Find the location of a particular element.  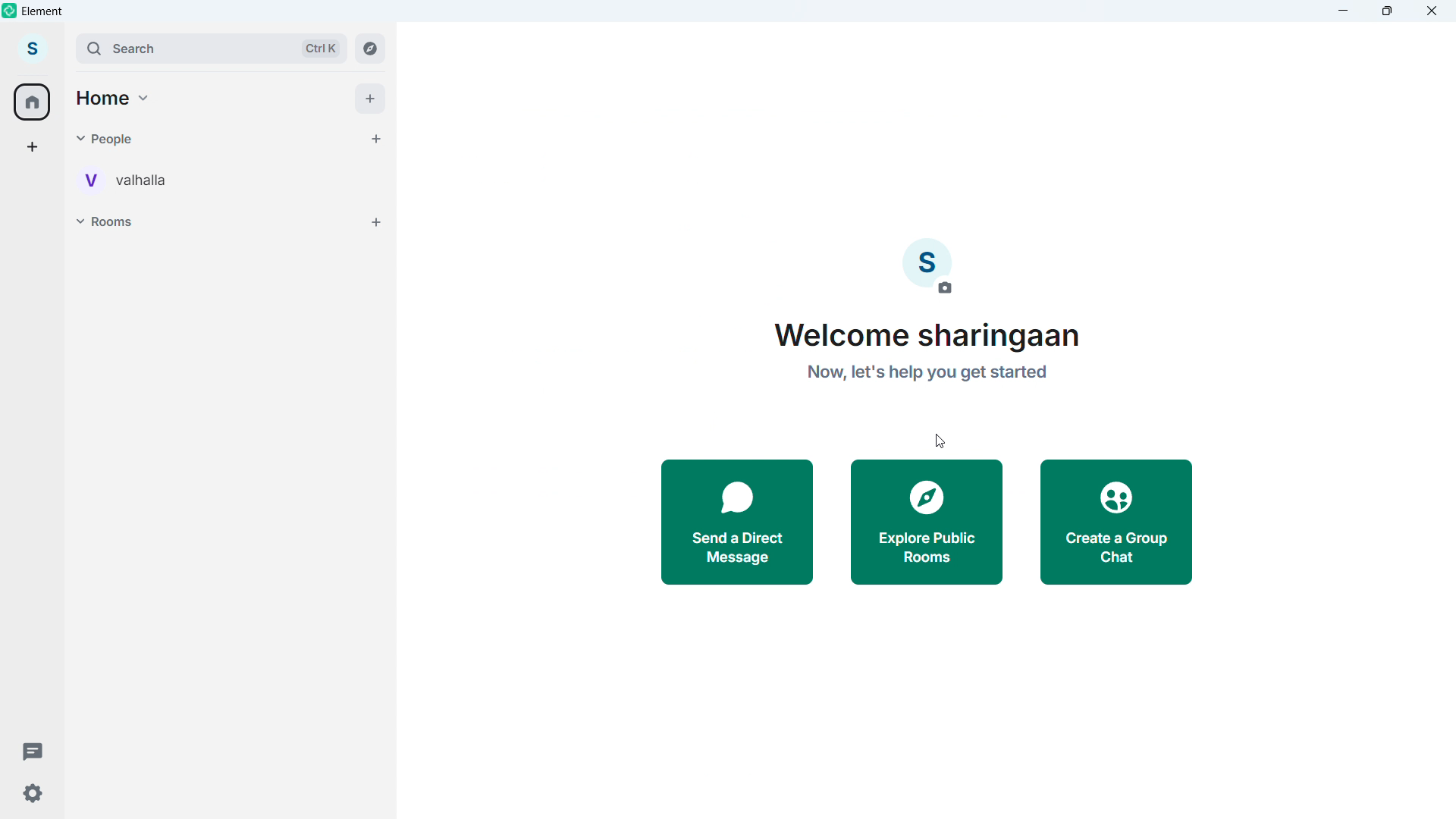

Explore public rooms  is located at coordinates (926, 524).